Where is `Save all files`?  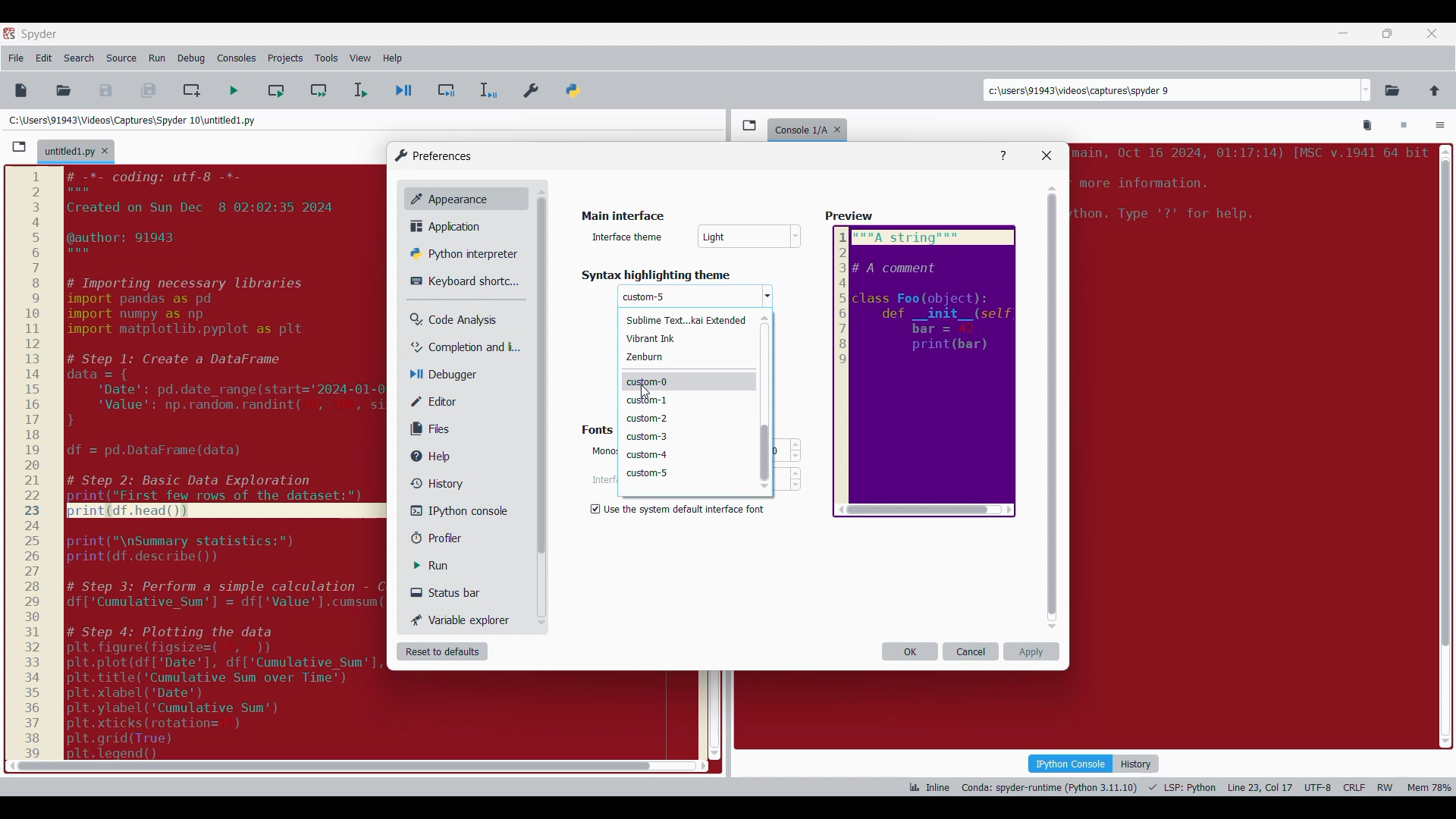 Save all files is located at coordinates (148, 90).